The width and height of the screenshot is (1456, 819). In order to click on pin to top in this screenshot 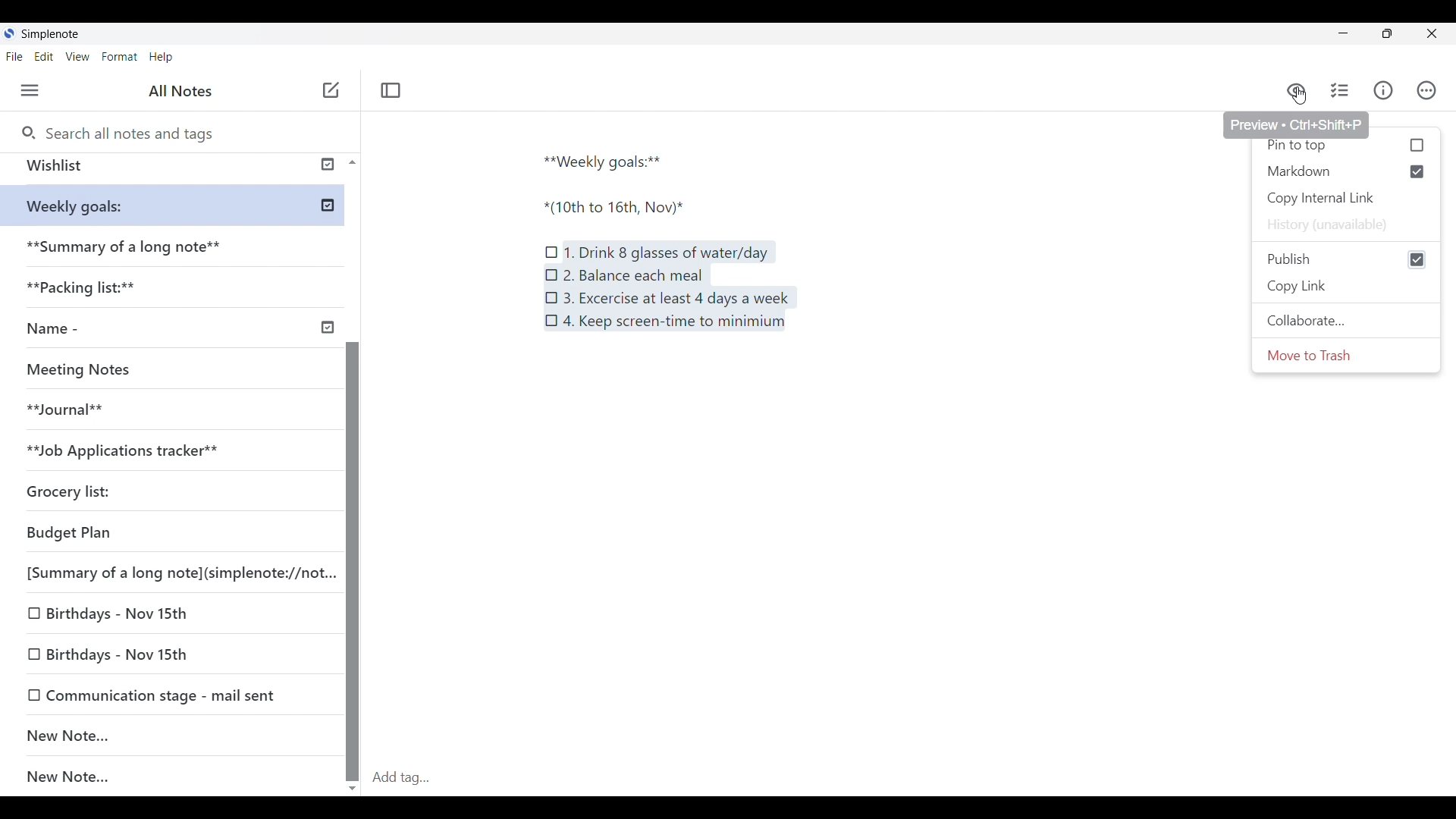, I will do `click(1349, 146)`.